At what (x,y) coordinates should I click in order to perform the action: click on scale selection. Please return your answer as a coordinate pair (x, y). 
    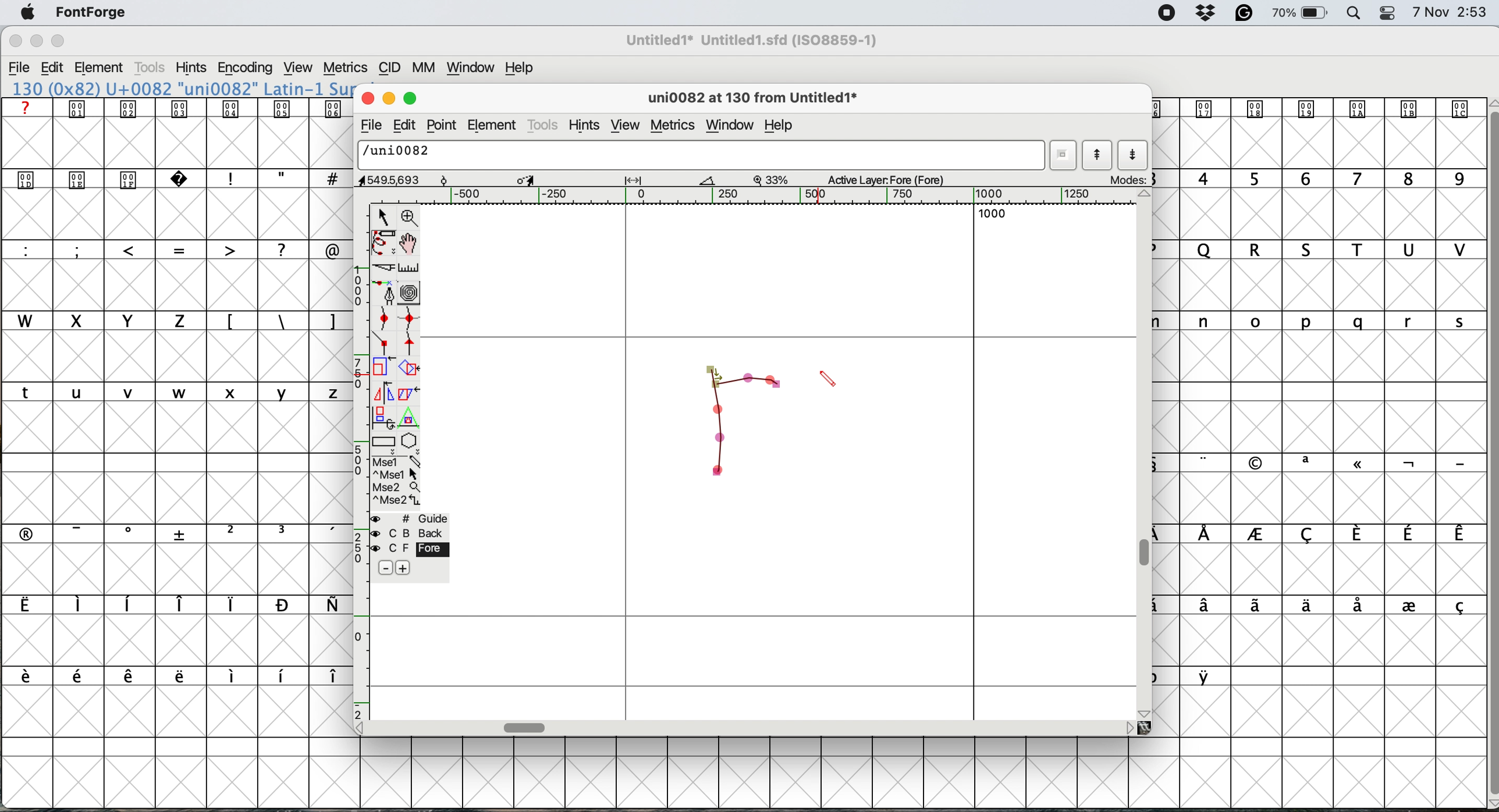
    Looking at the image, I should click on (383, 369).